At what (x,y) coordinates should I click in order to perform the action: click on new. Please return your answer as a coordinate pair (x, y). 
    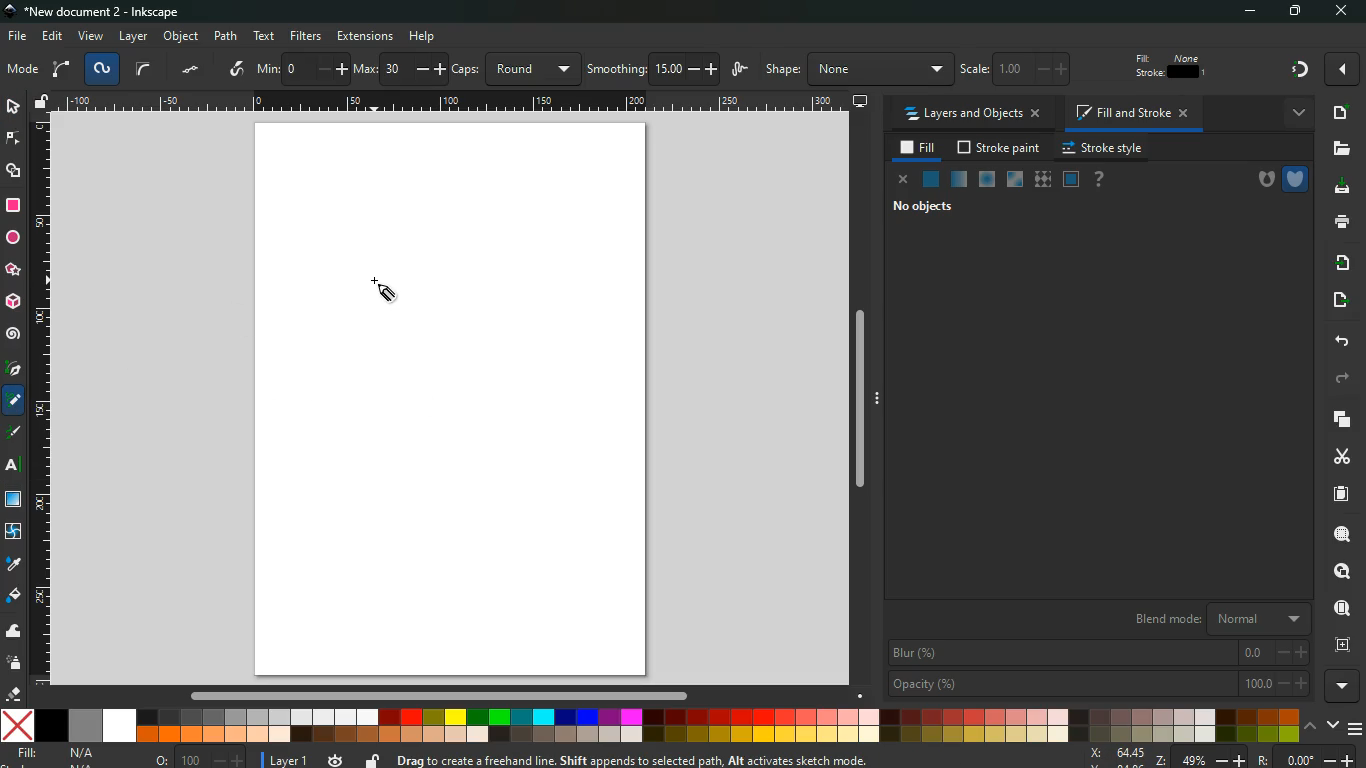
    Looking at the image, I should click on (1341, 112).